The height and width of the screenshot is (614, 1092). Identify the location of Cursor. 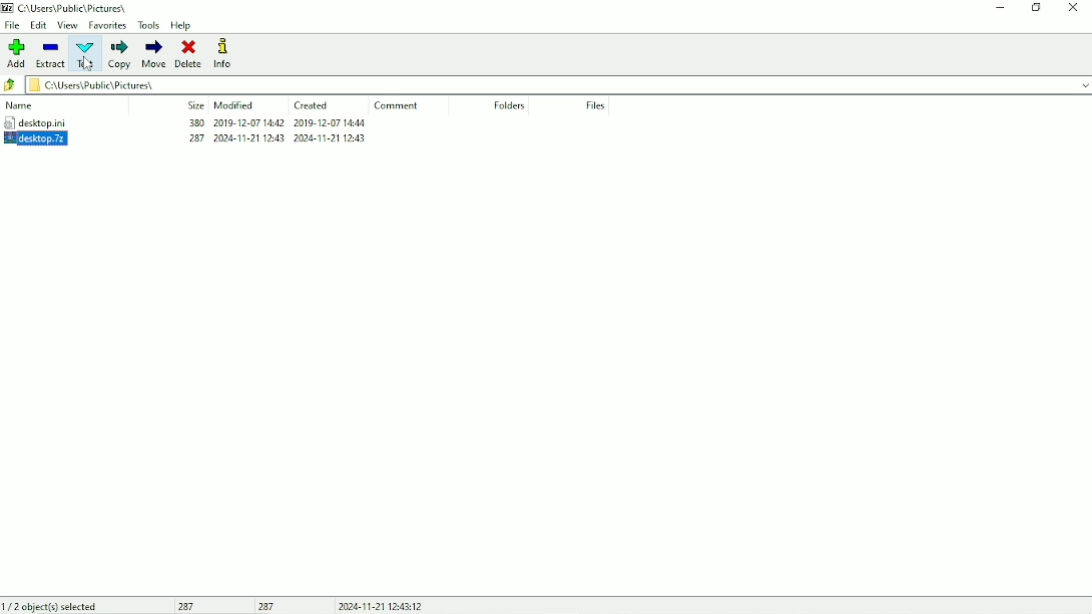
(90, 63).